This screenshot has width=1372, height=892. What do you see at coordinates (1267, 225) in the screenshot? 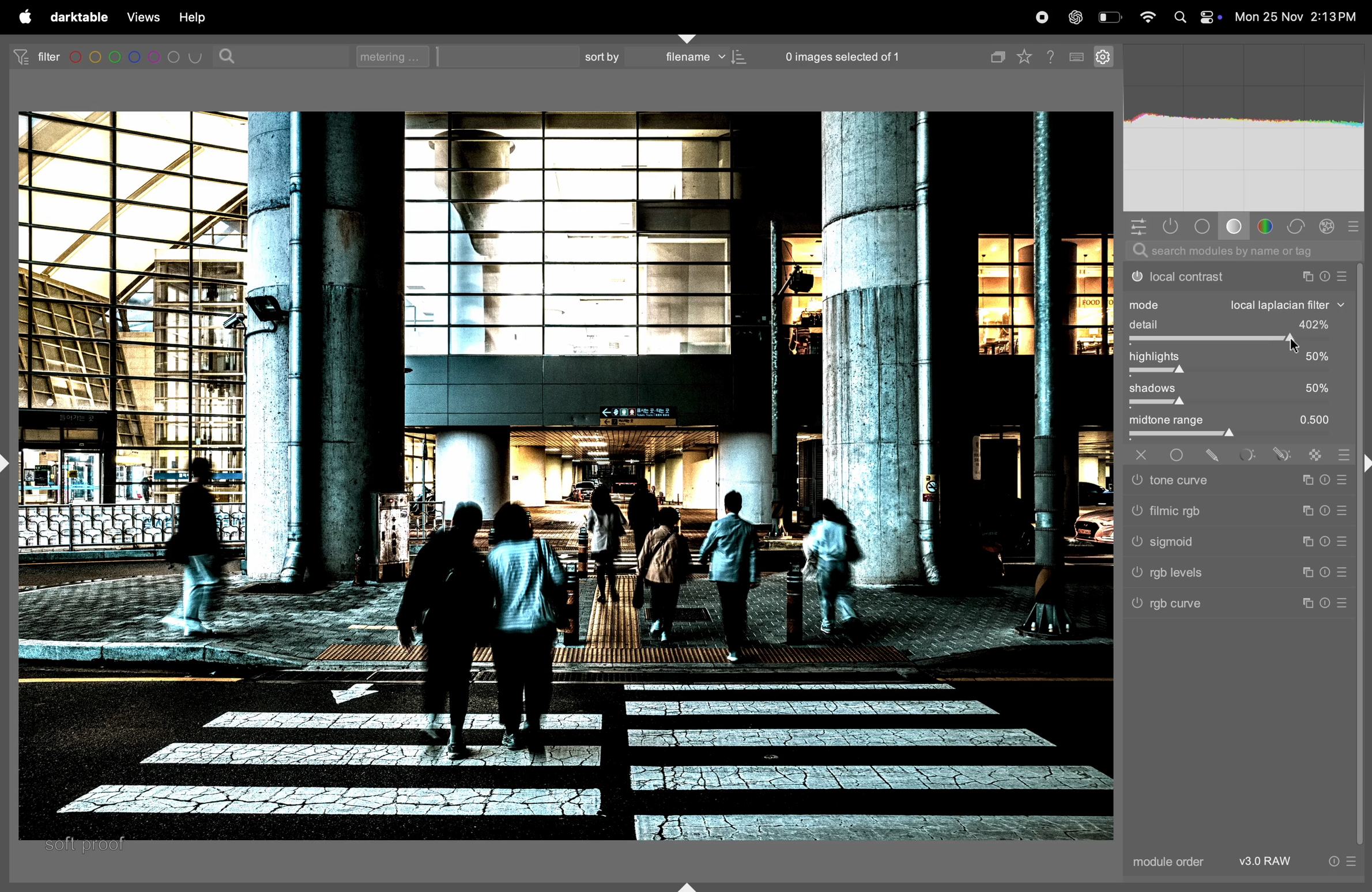
I see `colors` at bounding box center [1267, 225].